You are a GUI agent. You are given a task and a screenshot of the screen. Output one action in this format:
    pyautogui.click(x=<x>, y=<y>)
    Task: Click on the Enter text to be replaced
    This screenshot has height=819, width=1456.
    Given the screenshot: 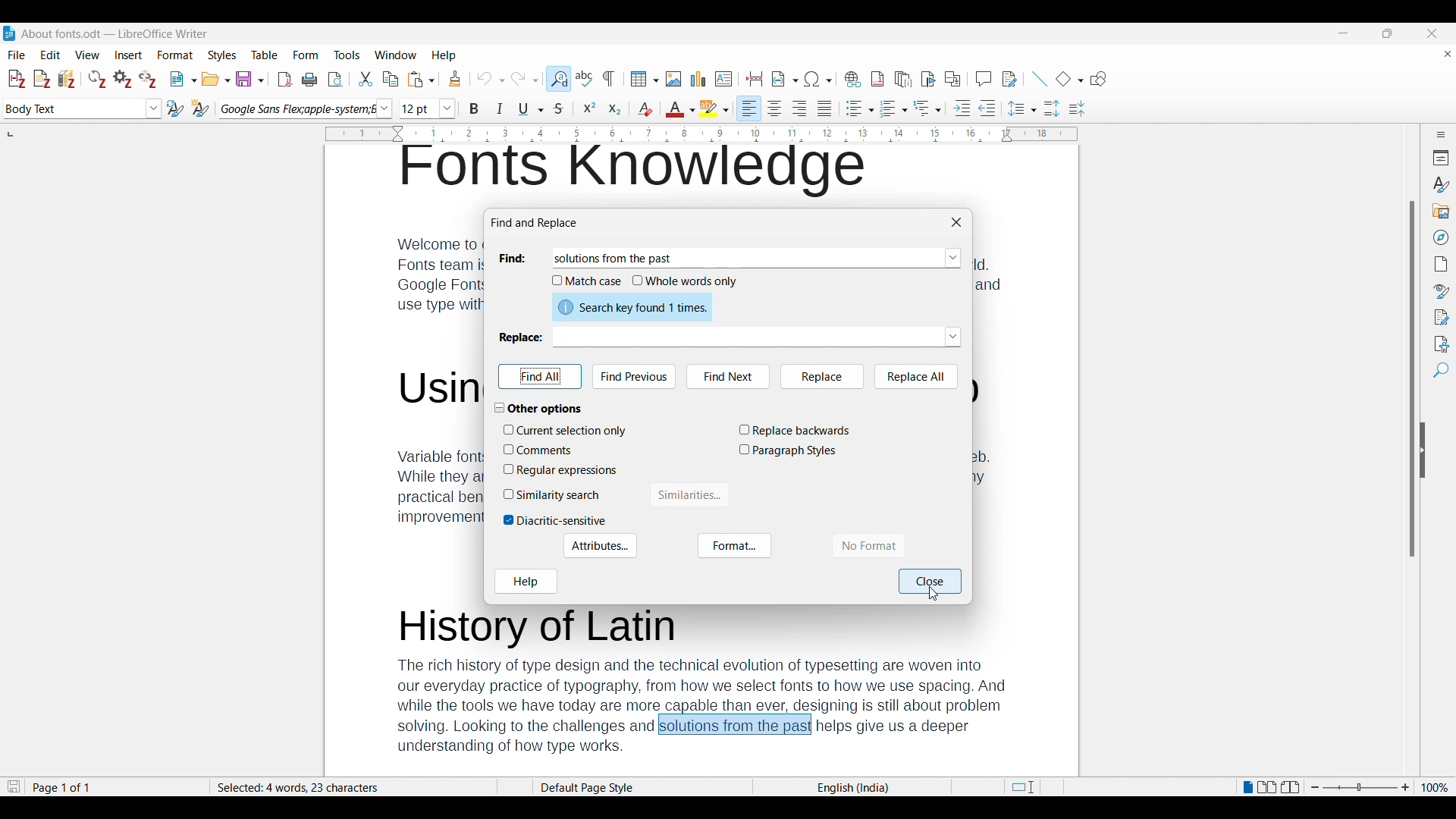 What is the action you would take?
    pyautogui.click(x=747, y=337)
    